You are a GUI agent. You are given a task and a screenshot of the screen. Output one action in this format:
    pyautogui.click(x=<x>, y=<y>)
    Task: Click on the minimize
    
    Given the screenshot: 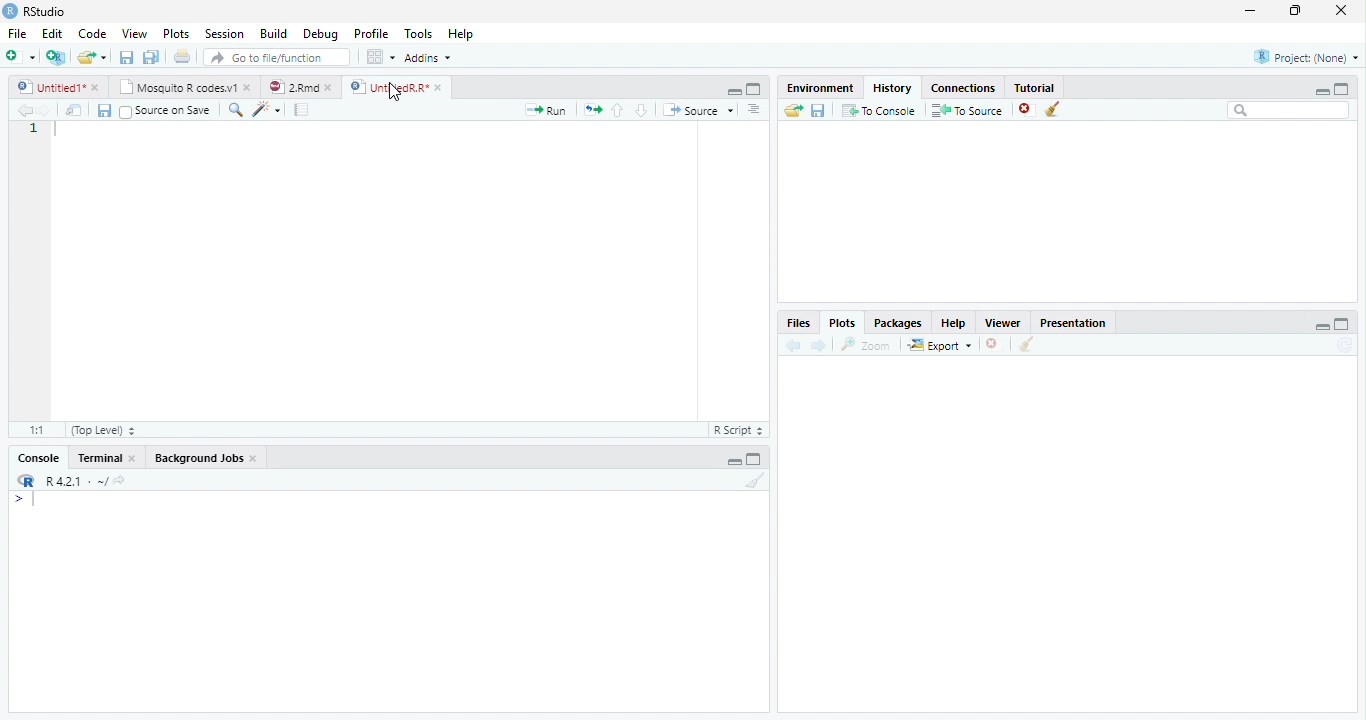 What is the action you would take?
    pyautogui.click(x=1250, y=10)
    